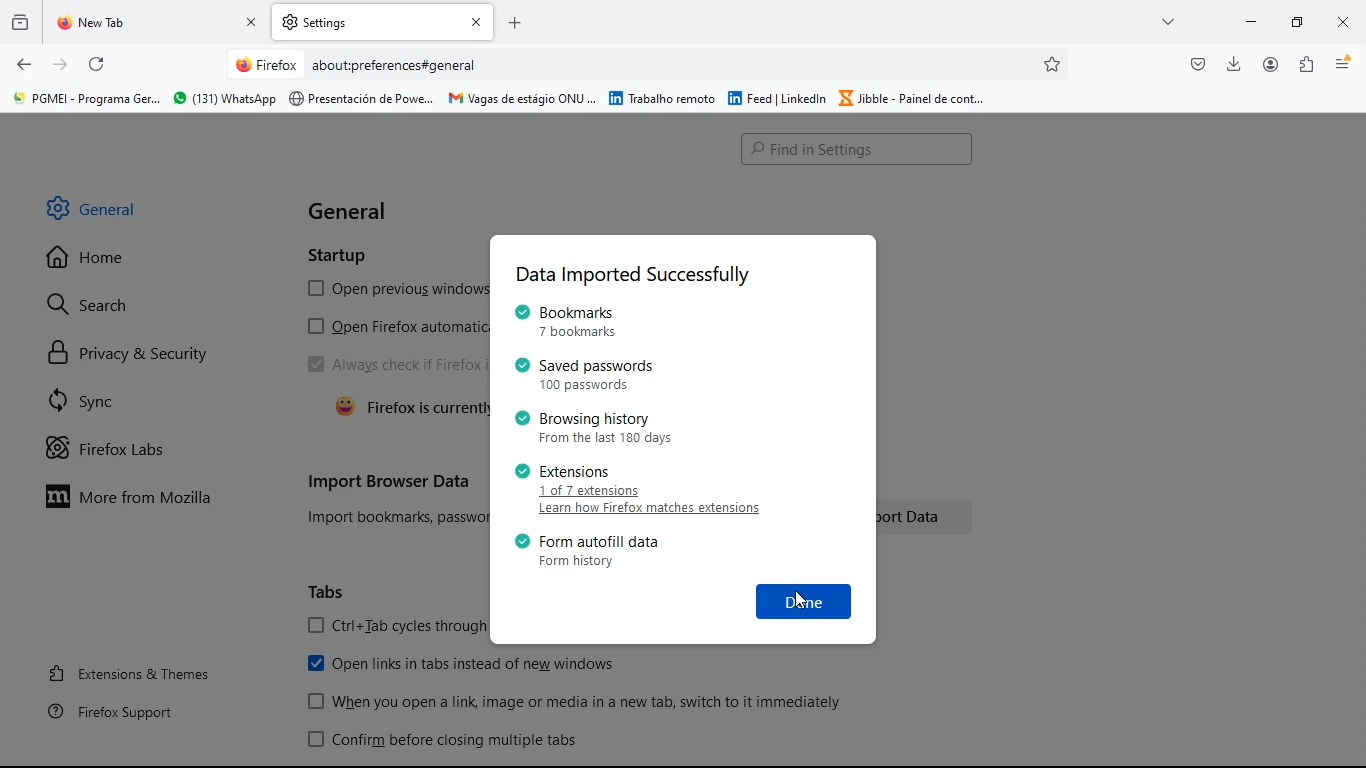 This screenshot has width=1366, height=768. I want to click on Done, so click(805, 600).